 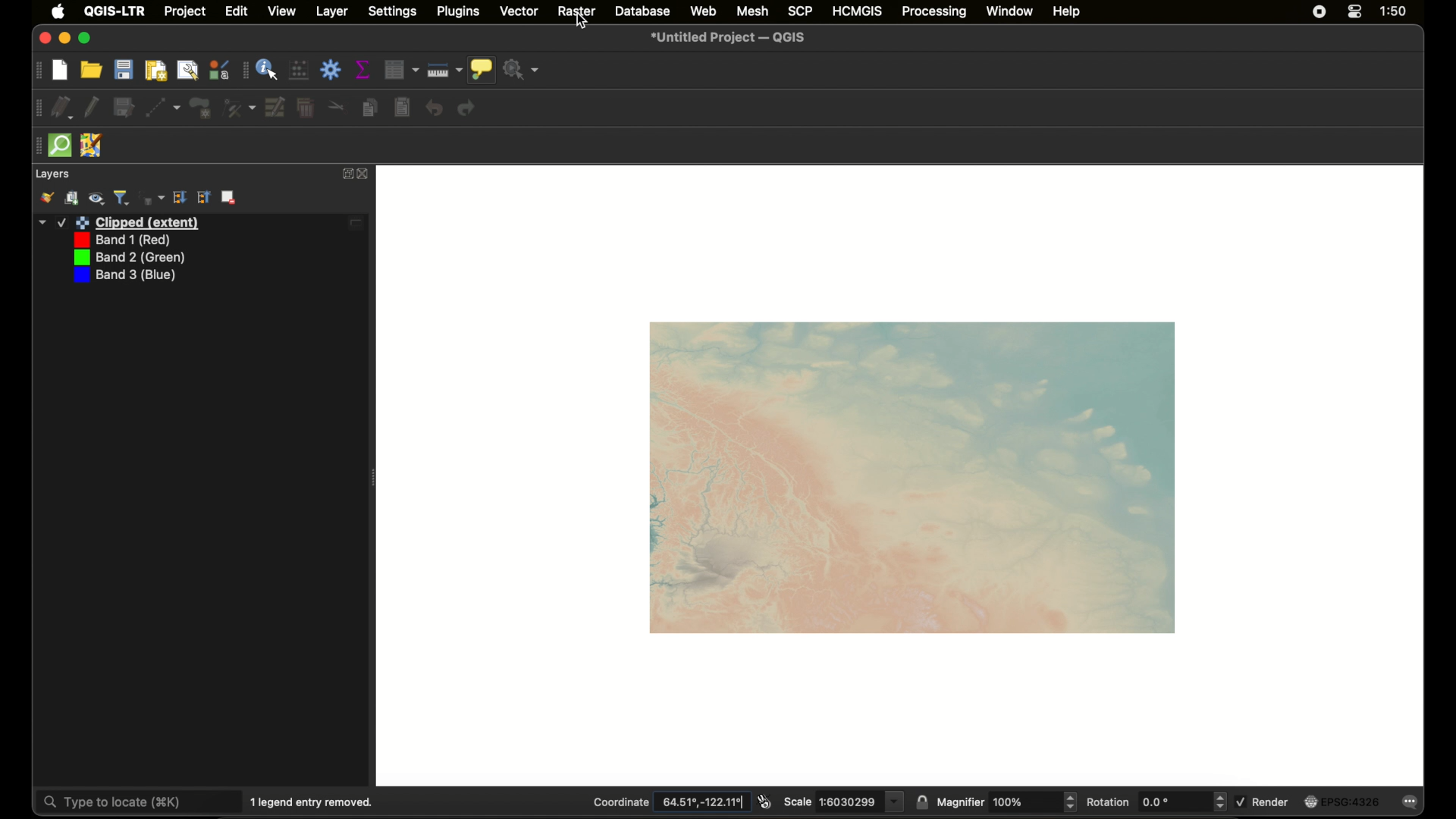 What do you see at coordinates (96, 199) in the screenshot?
I see `manage map theme` at bounding box center [96, 199].